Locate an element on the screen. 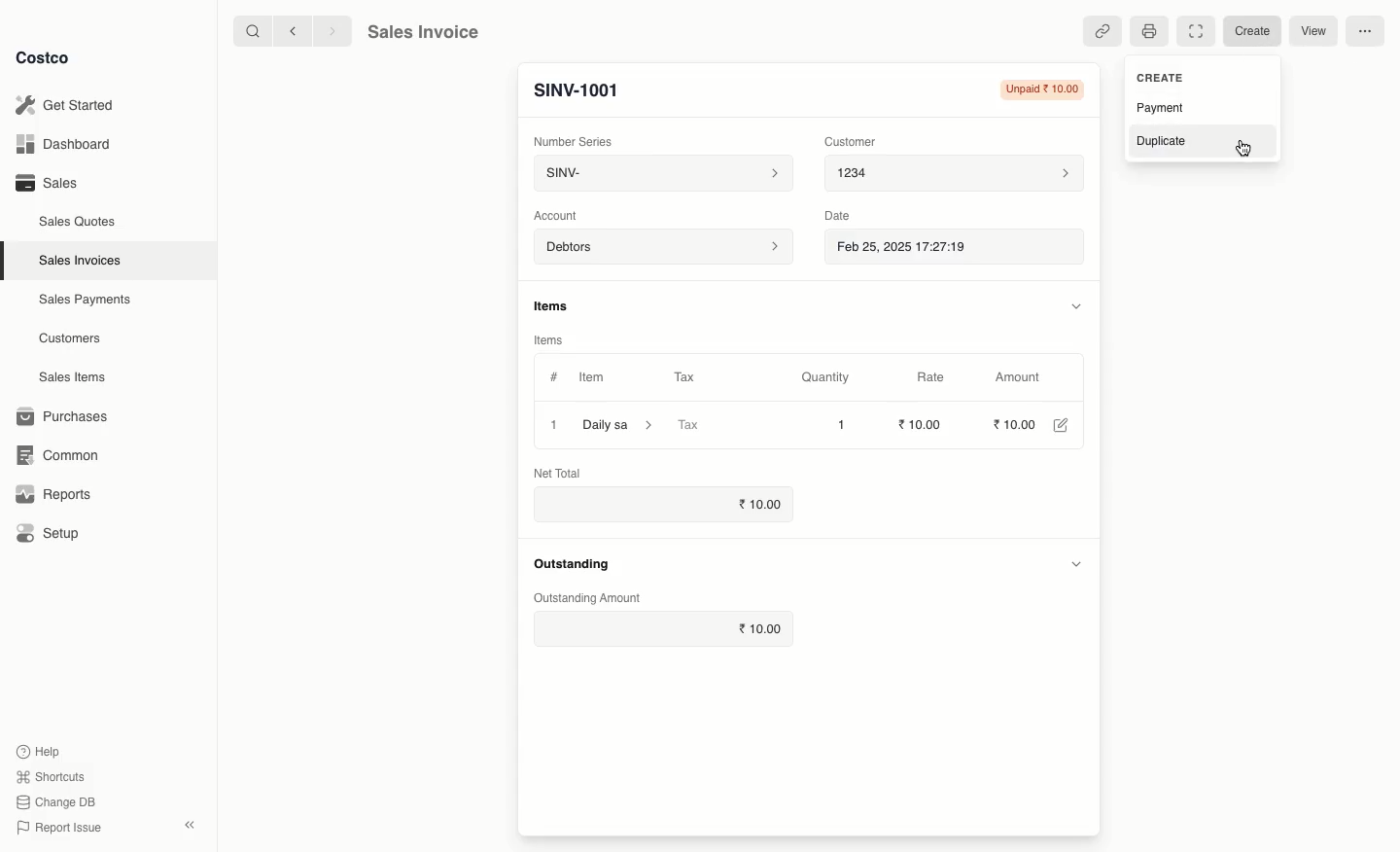 The width and height of the screenshot is (1400, 852). Shortcuts is located at coordinates (52, 775).